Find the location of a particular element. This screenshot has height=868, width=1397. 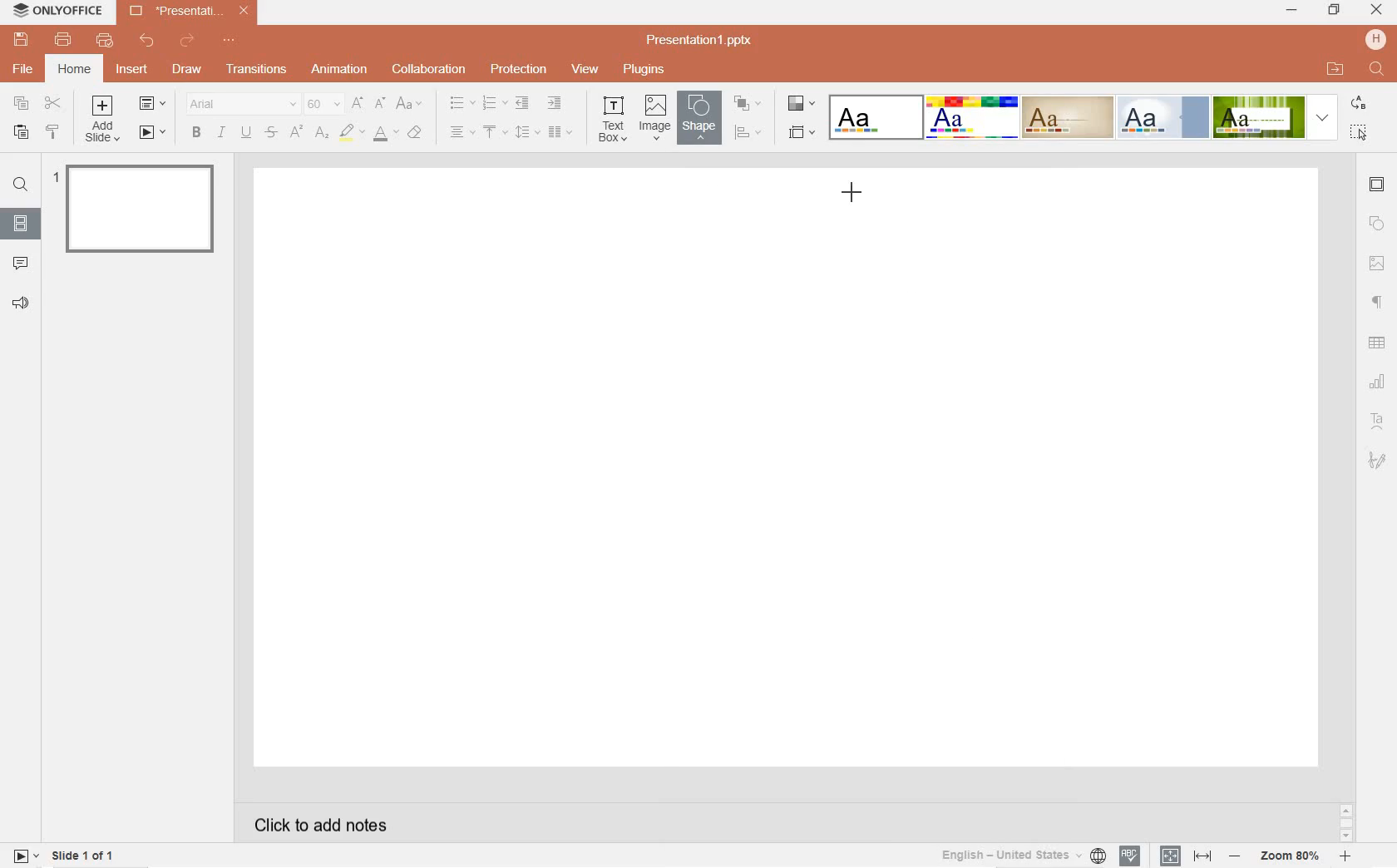

view is located at coordinates (585, 70).